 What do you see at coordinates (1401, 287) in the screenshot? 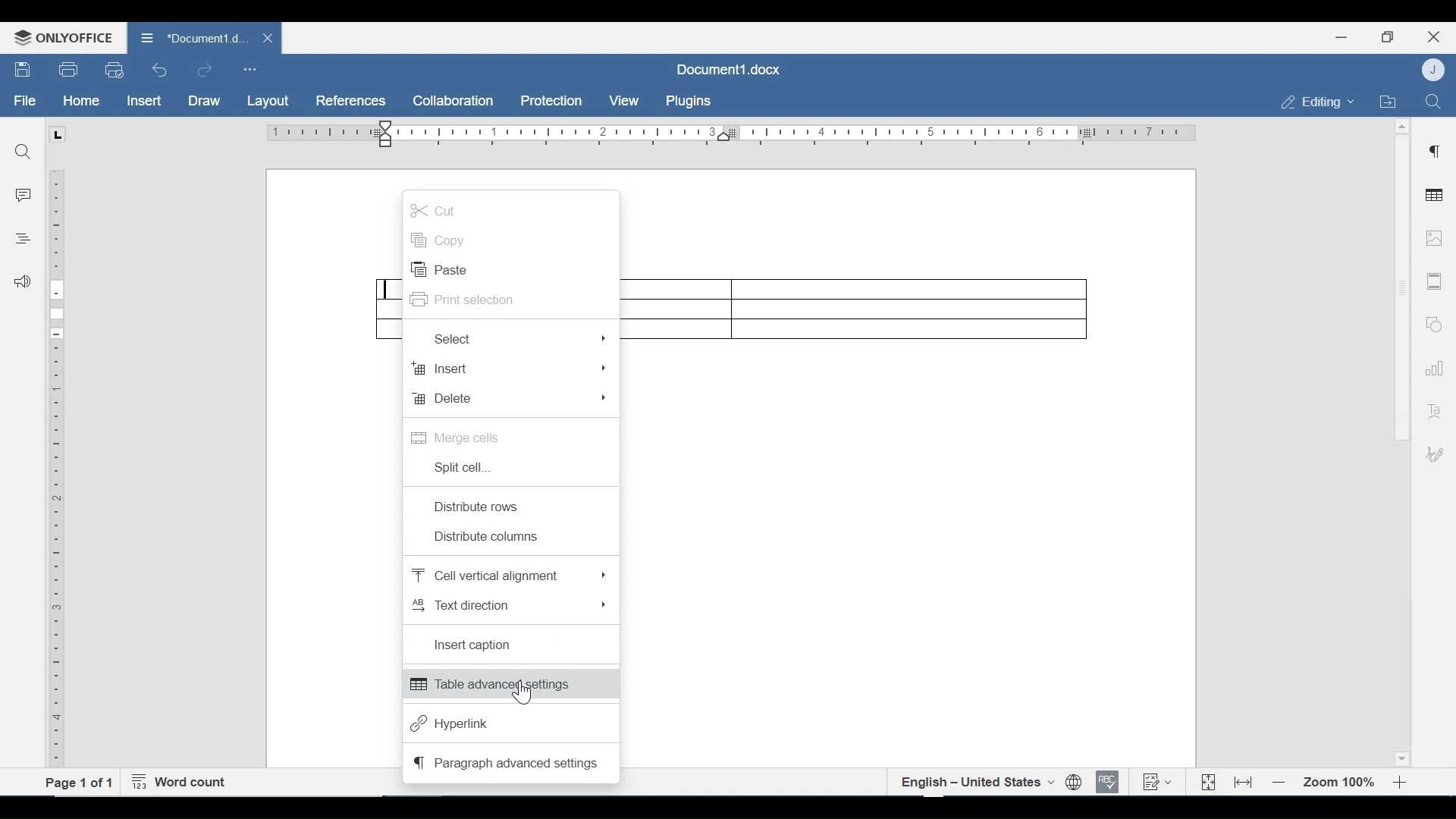
I see `Scroll bar` at bounding box center [1401, 287].